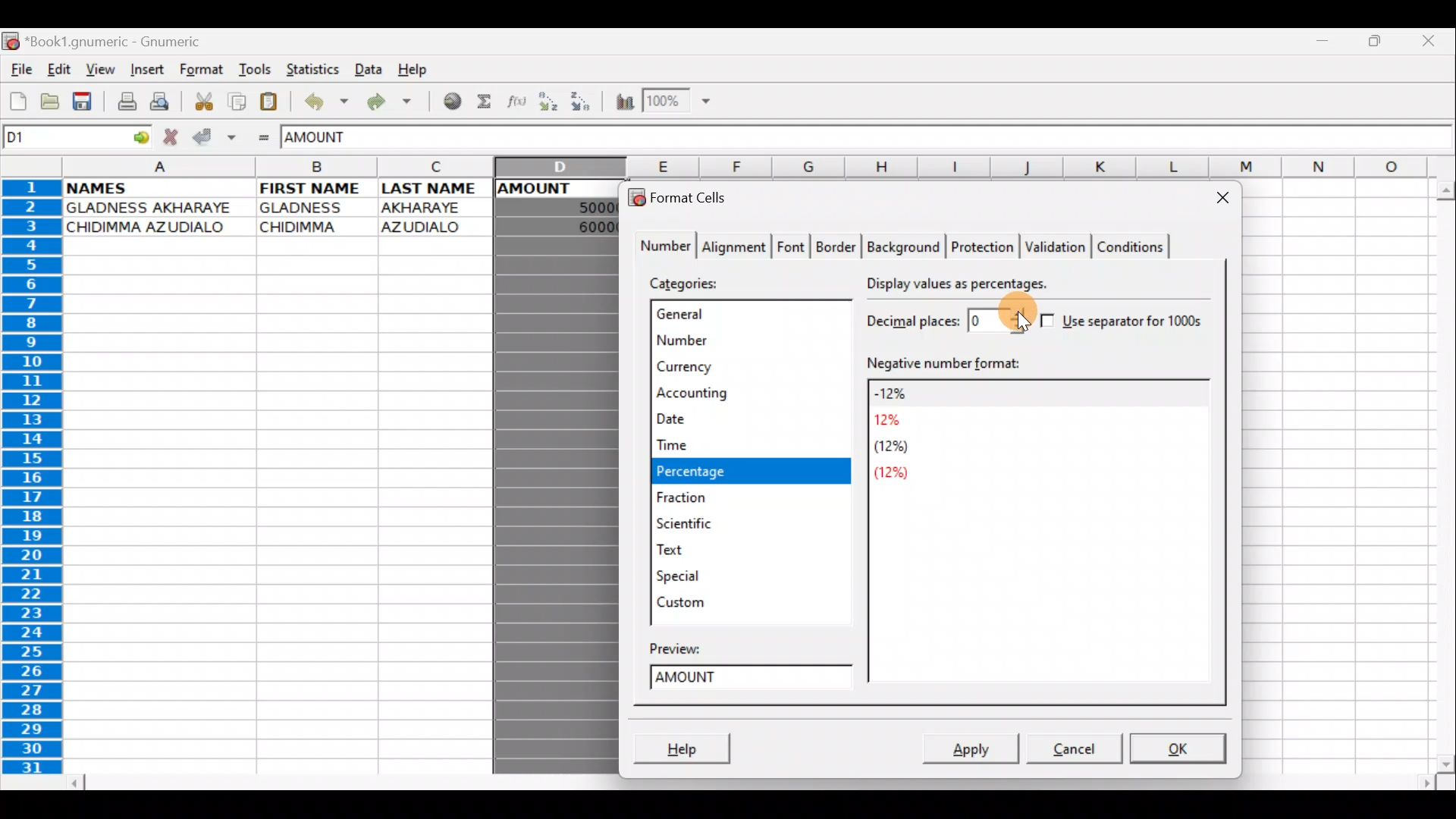 This screenshot has width=1456, height=819. What do you see at coordinates (723, 393) in the screenshot?
I see `Accounting` at bounding box center [723, 393].